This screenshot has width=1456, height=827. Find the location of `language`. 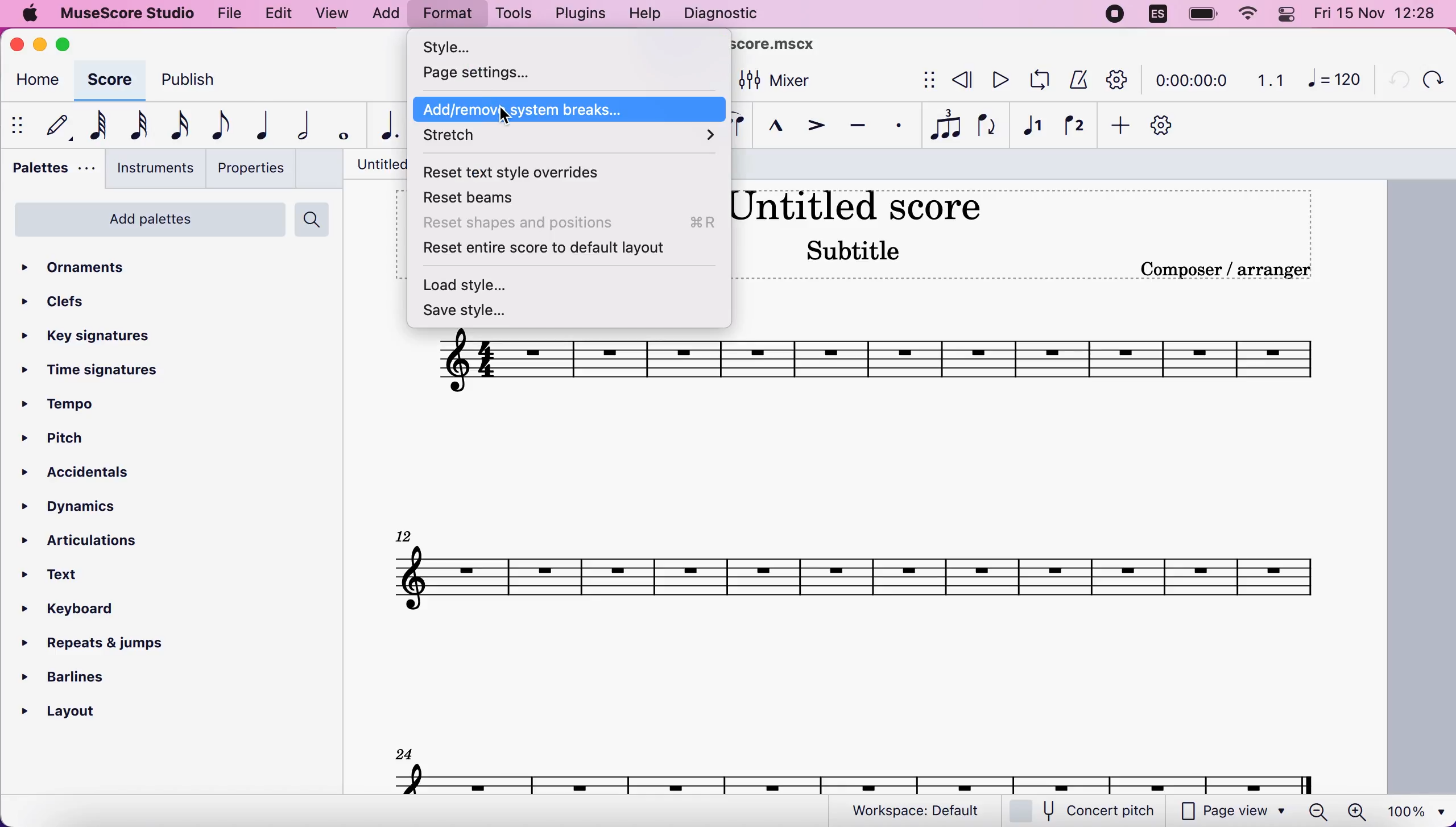

language is located at coordinates (1159, 17).